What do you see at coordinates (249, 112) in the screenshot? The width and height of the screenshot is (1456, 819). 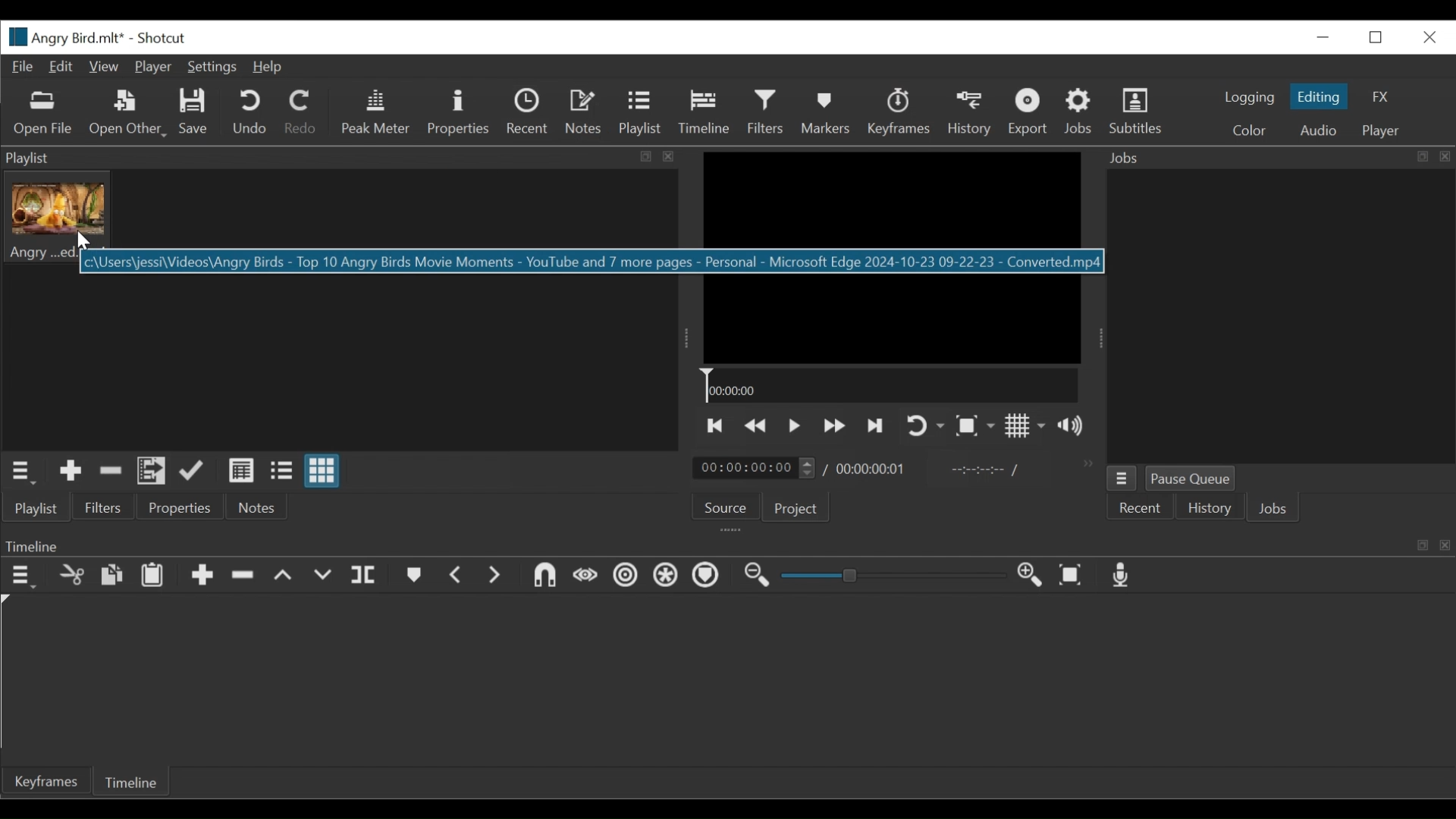 I see `Undo` at bounding box center [249, 112].